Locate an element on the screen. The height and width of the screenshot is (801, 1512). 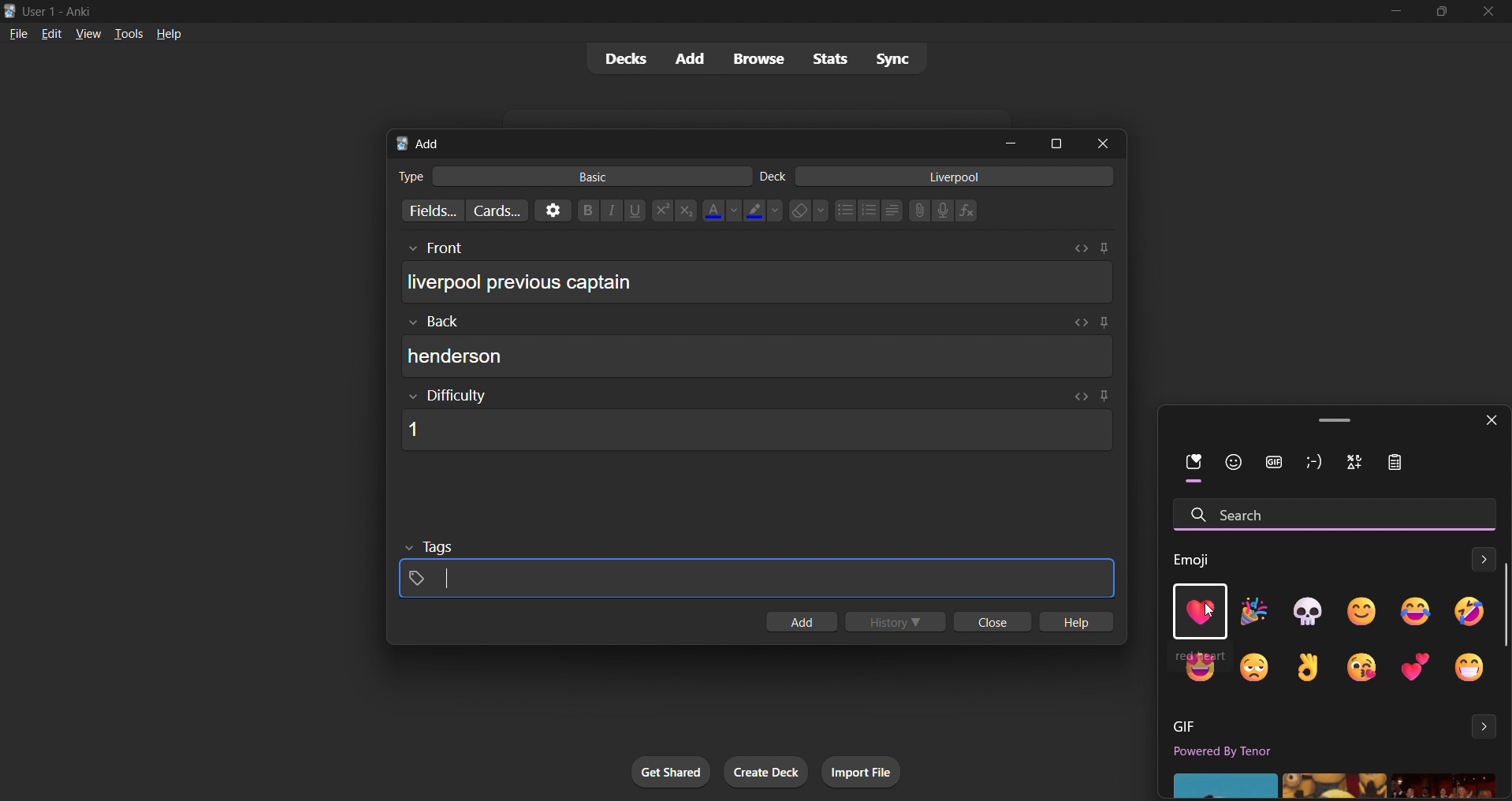
emoji is located at coordinates (1468, 613).